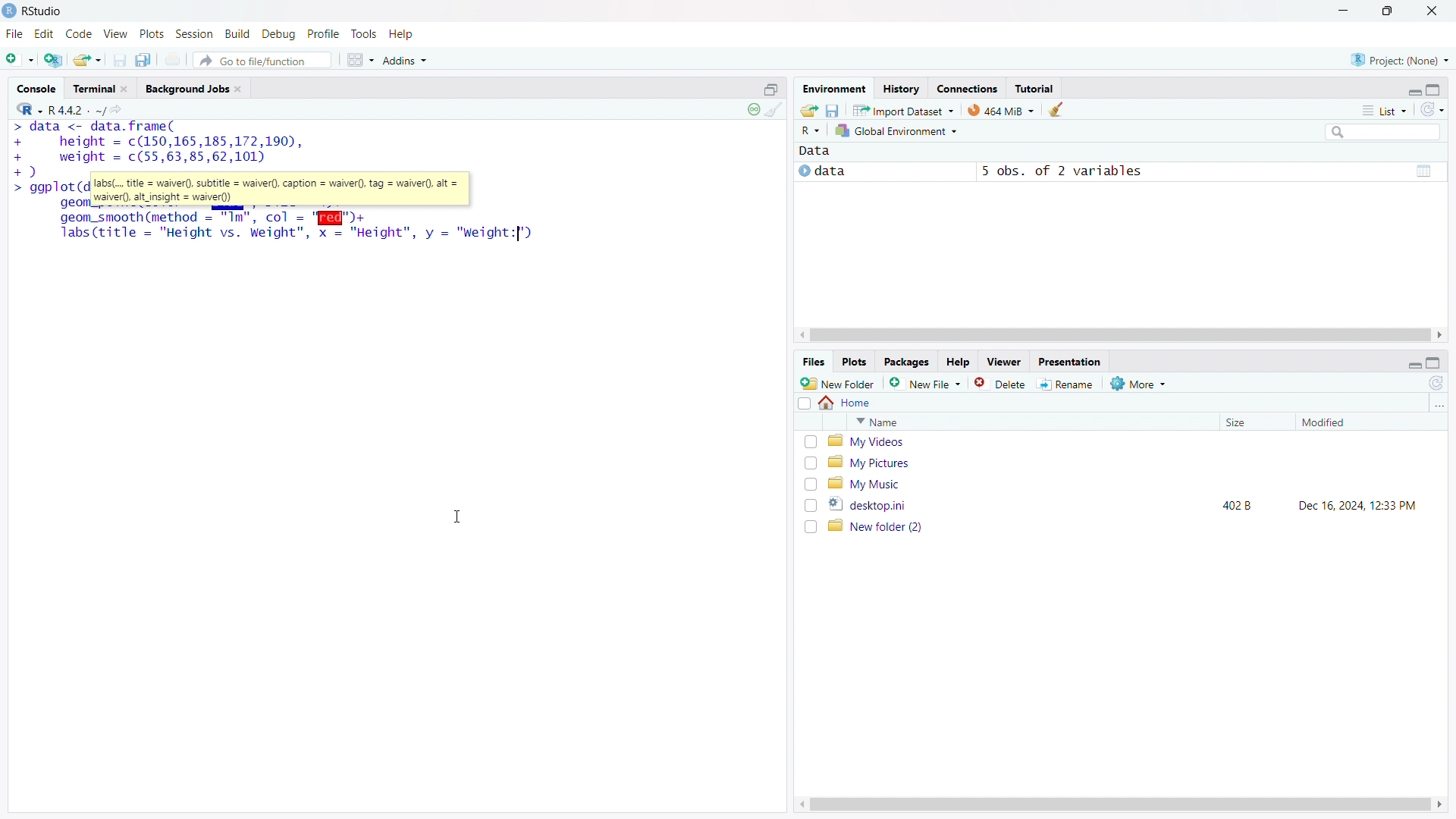  I want to click on my pictures, so click(1131, 462).